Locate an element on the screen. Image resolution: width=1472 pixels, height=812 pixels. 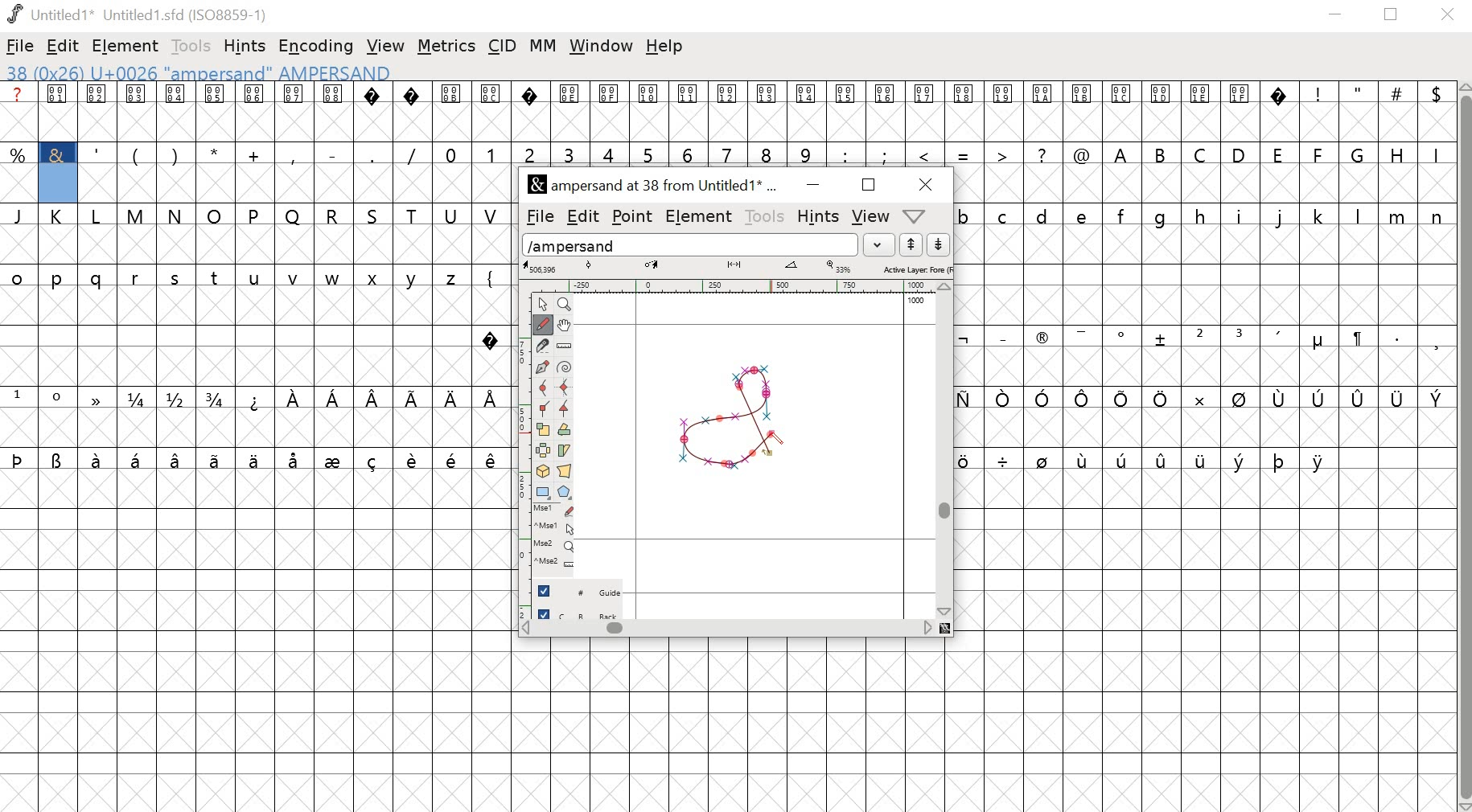
0015 is located at coordinates (846, 113).